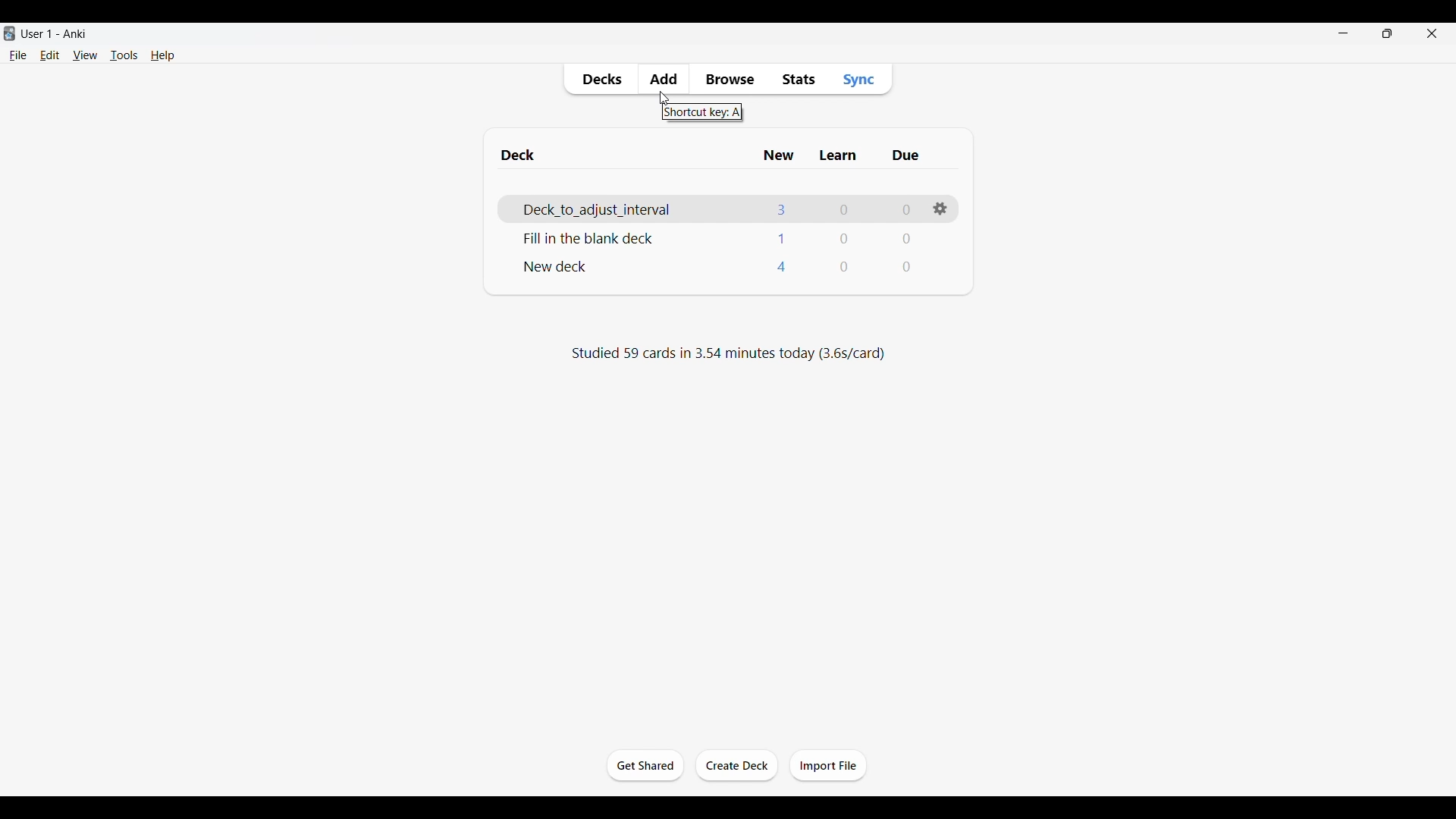 The height and width of the screenshot is (819, 1456). Describe the element at coordinates (843, 212) in the screenshot. I see `Details specific to each column and deck` at that location.